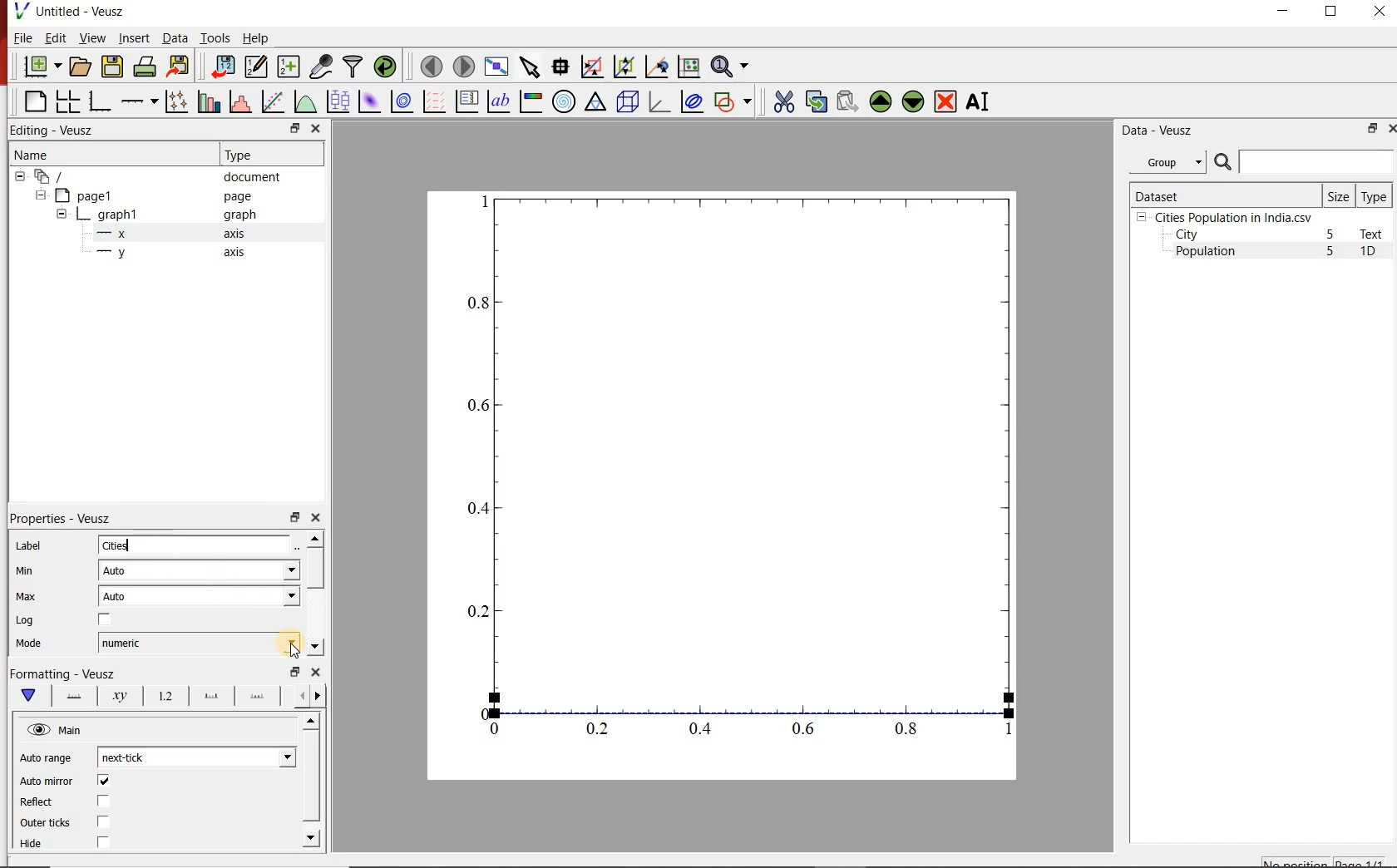  I want to click on move to the next page, so click(462, 66).